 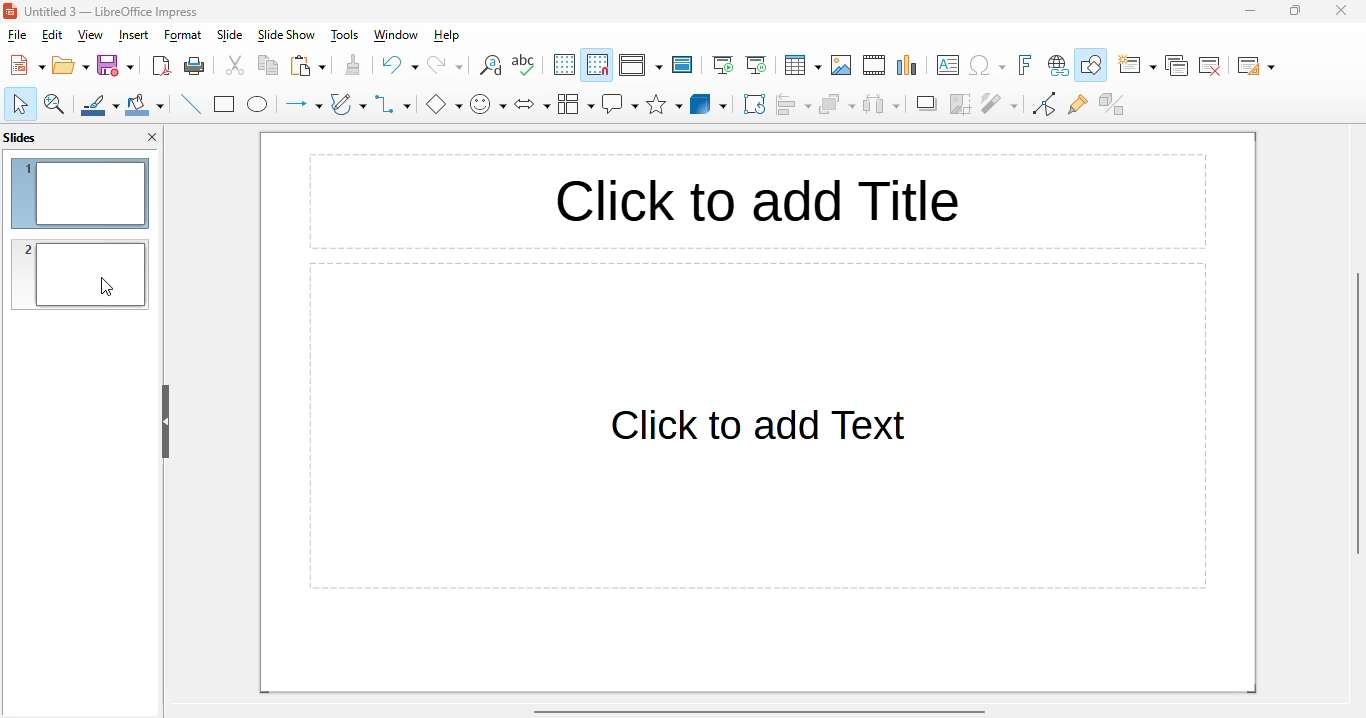 I want to click on minimize, so click(x=1250, y=10).